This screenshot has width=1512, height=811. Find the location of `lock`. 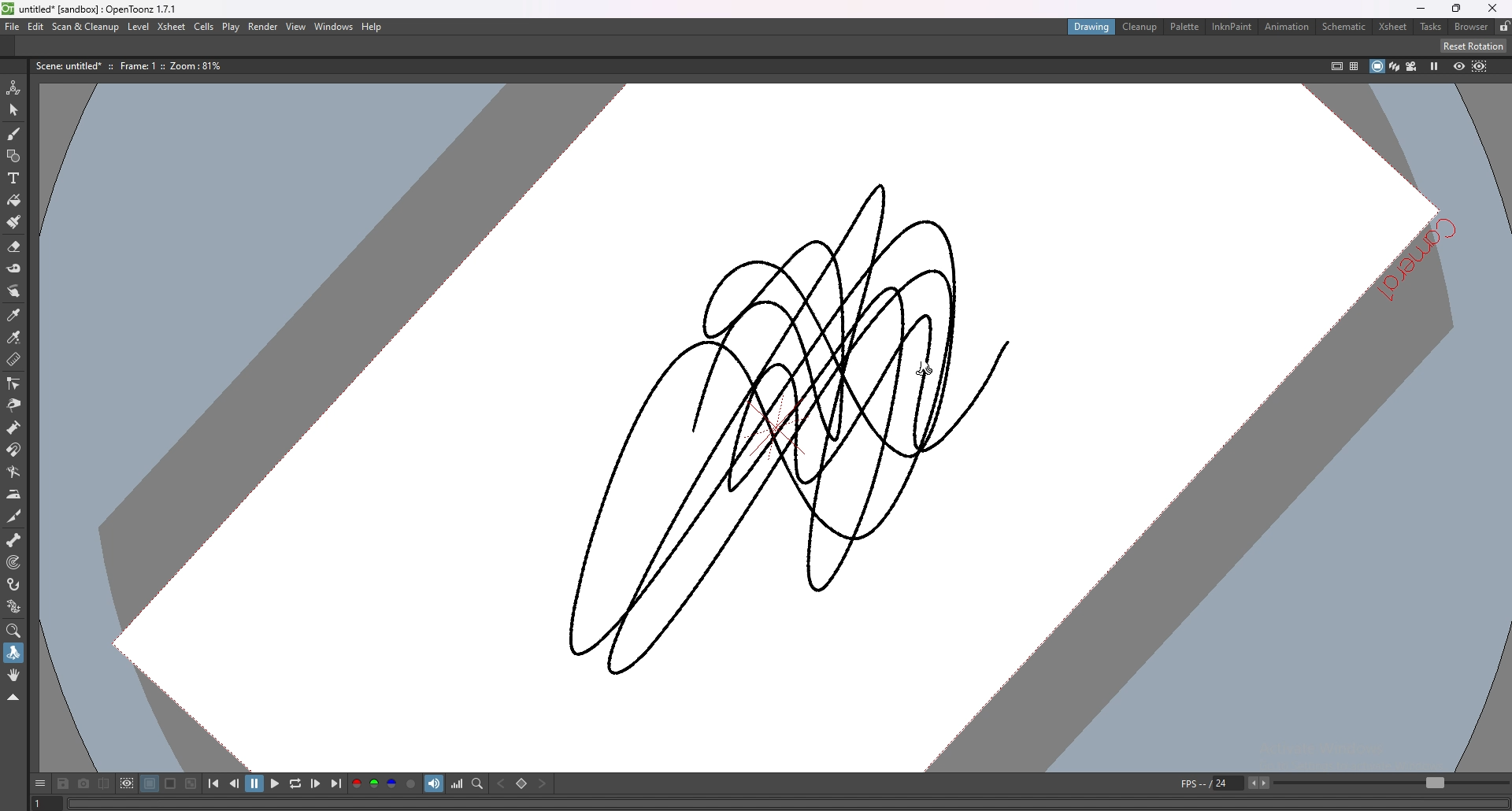

lock is located at coordinates (1505, 27).